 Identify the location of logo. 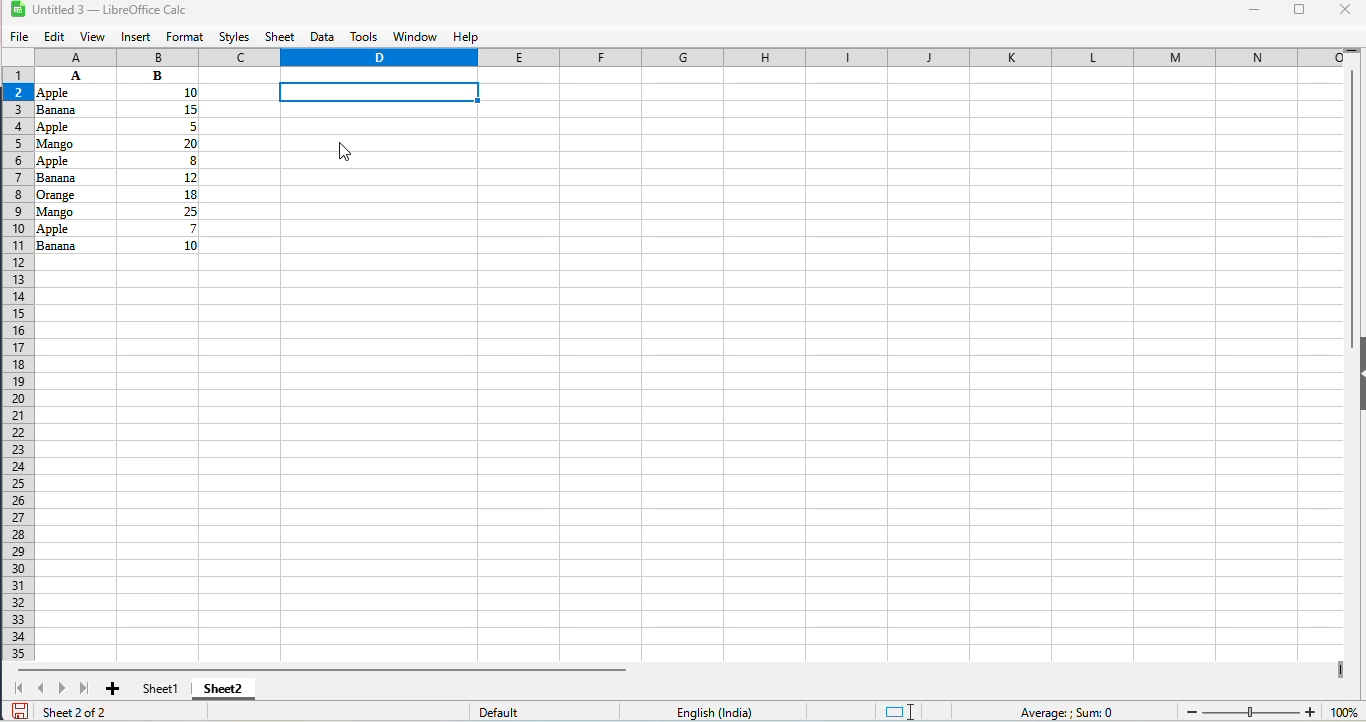
(19, 8).